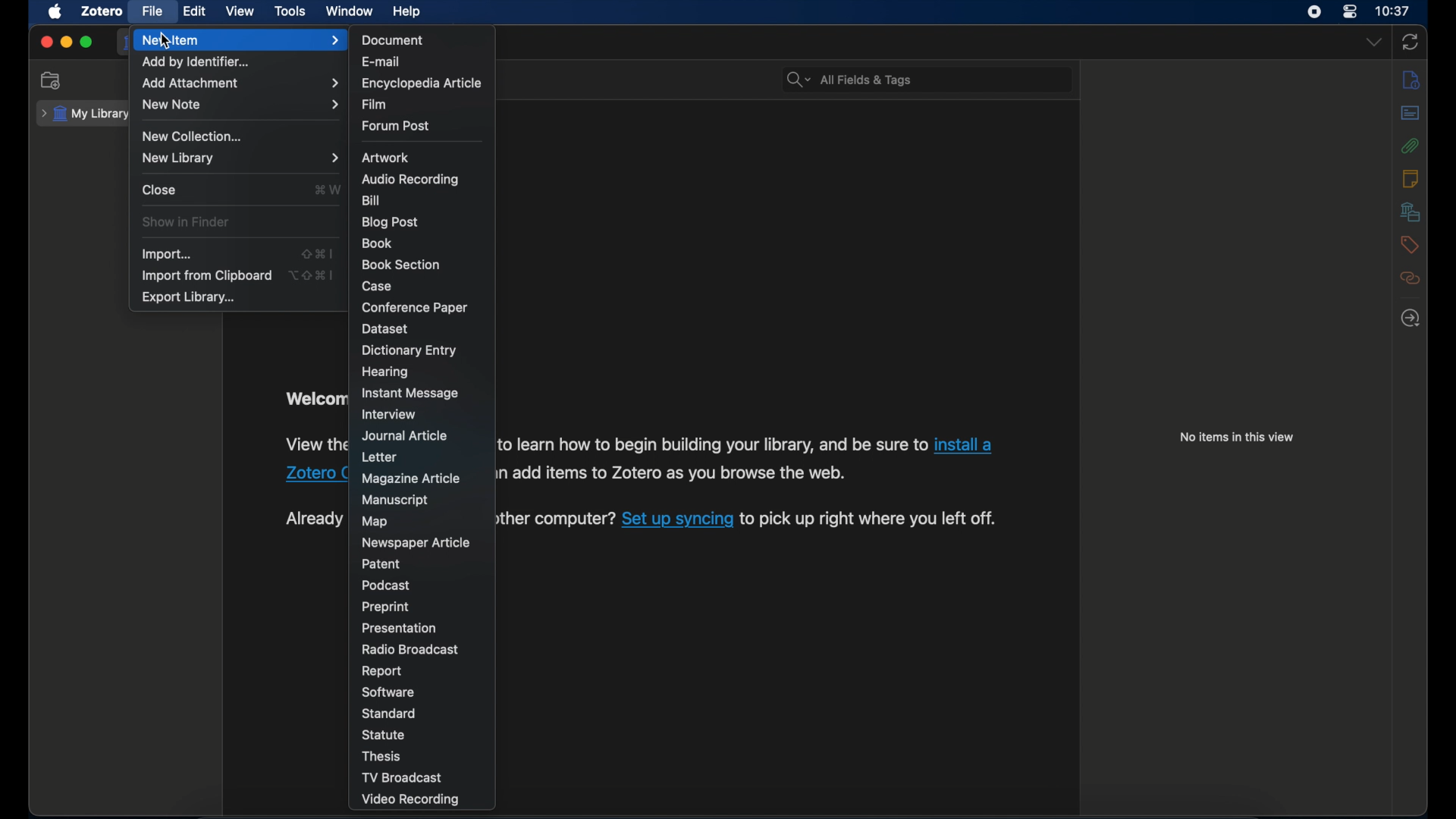  What do you see at coordinates (943, 79) in the screenshot?
I see `search bar input` at bounding box center [943, 79].